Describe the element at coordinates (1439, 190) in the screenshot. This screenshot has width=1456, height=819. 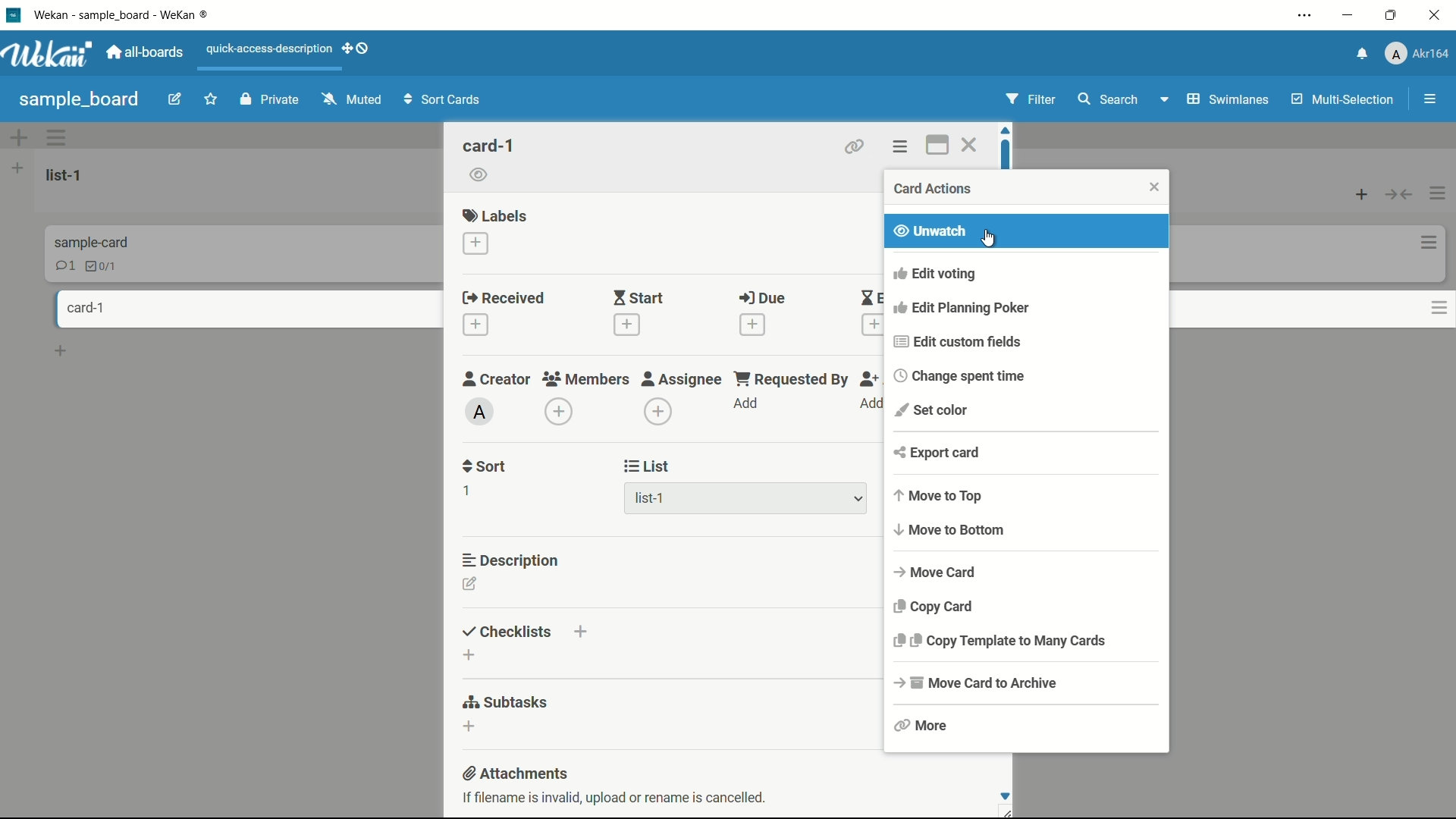
I see `list actions` at that location.